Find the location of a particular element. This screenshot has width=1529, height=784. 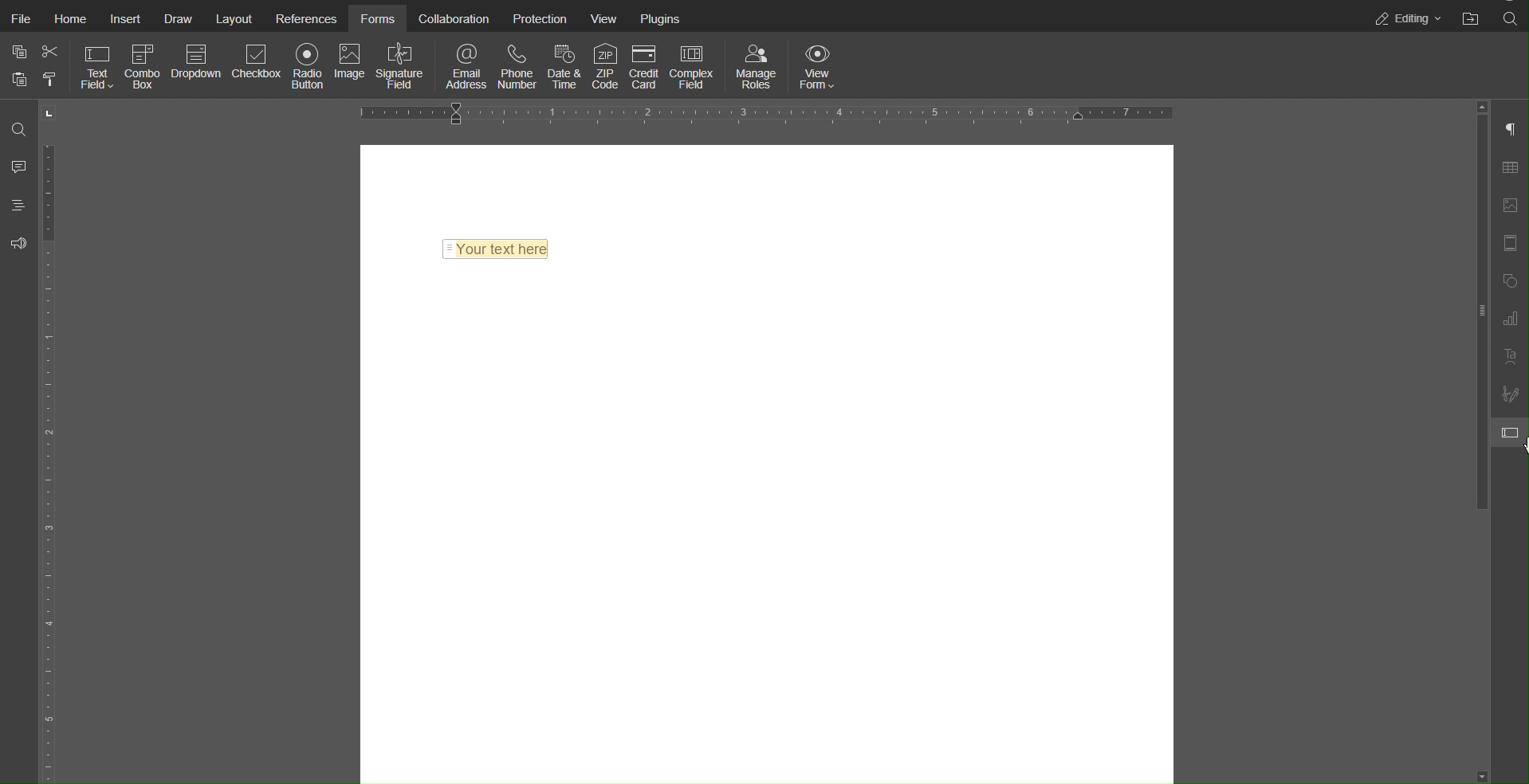

Header and Footer is located at coordinates (1509, 243).